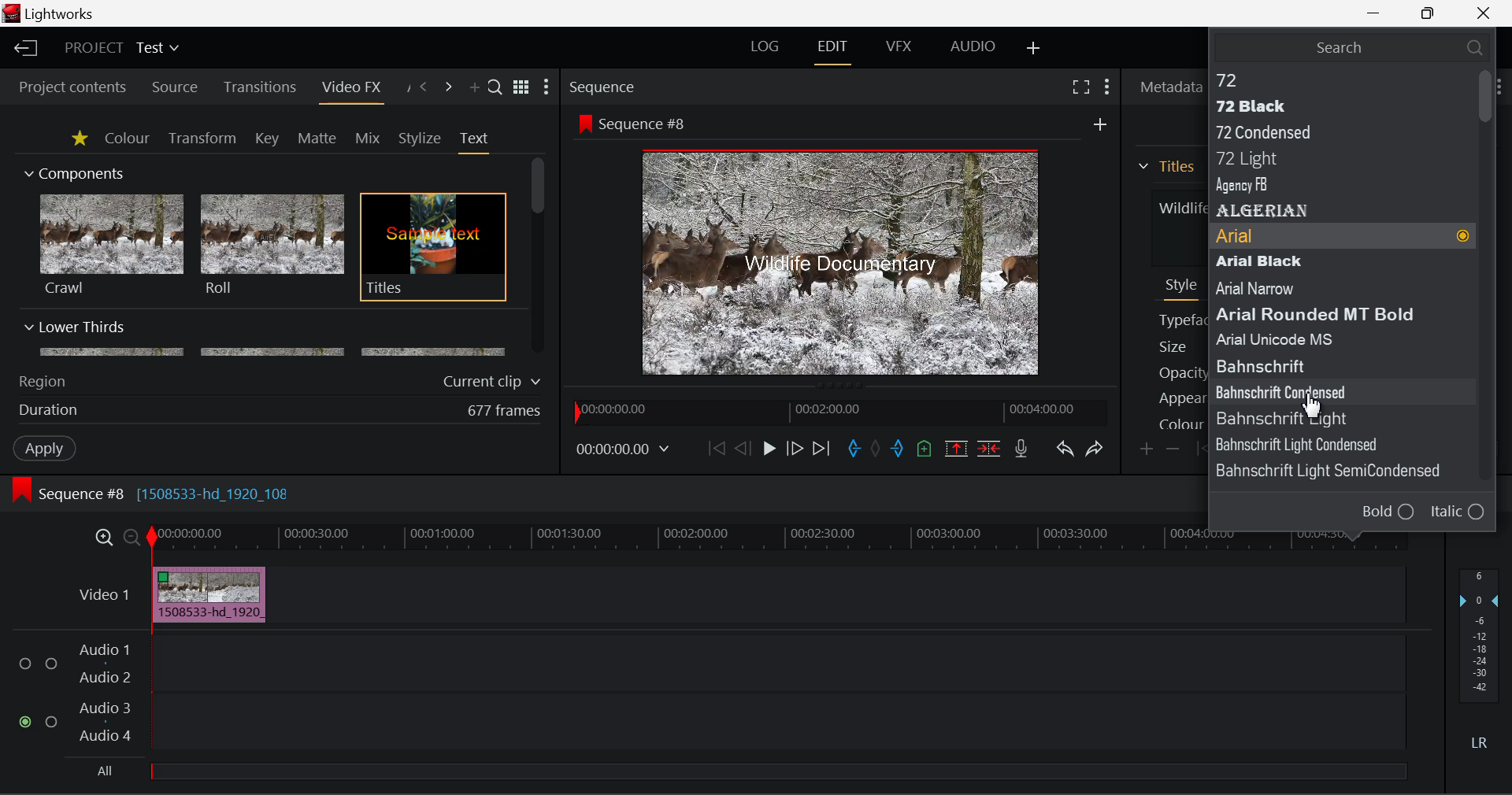  I want to click on Lower Thirds, so click(266, 338).